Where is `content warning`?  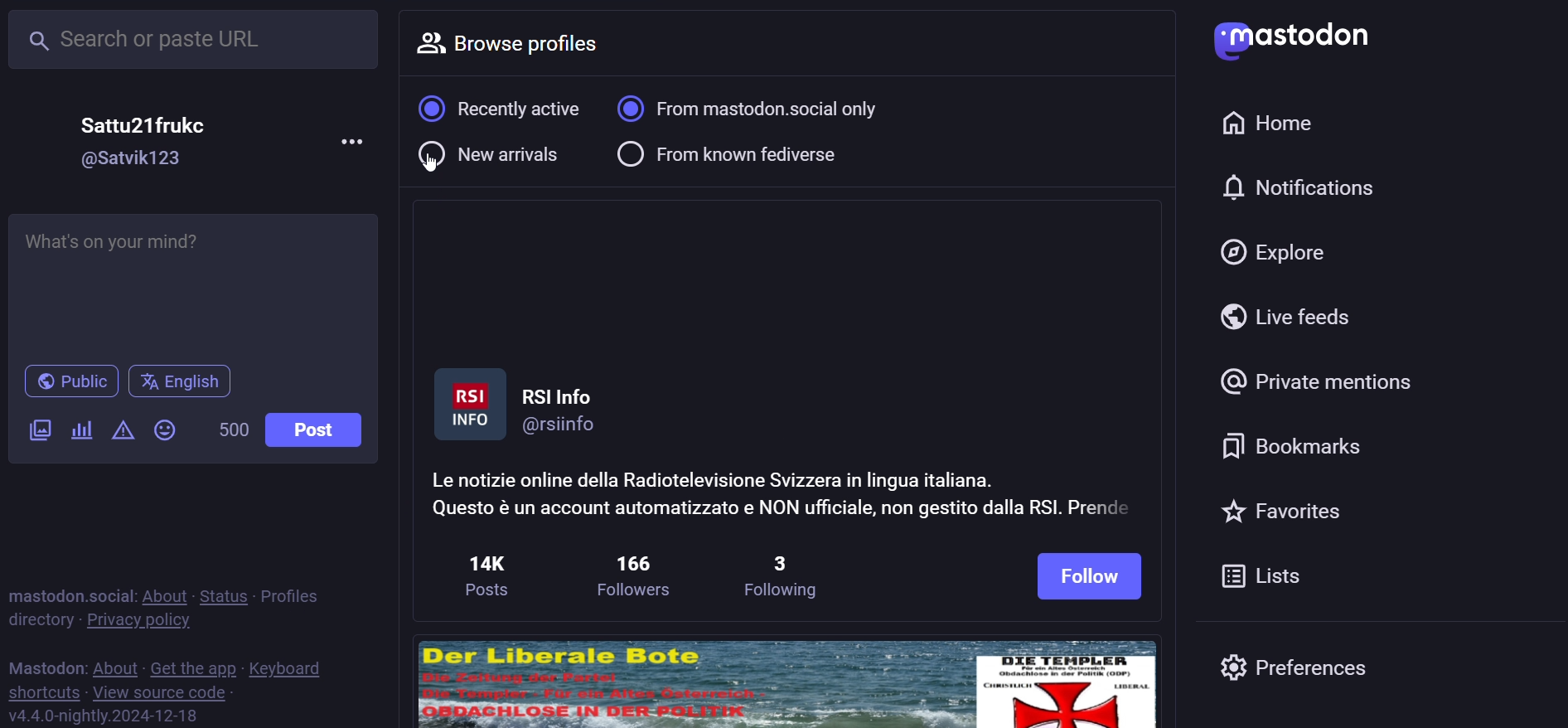 content warning is located at coordinates (123, 431).